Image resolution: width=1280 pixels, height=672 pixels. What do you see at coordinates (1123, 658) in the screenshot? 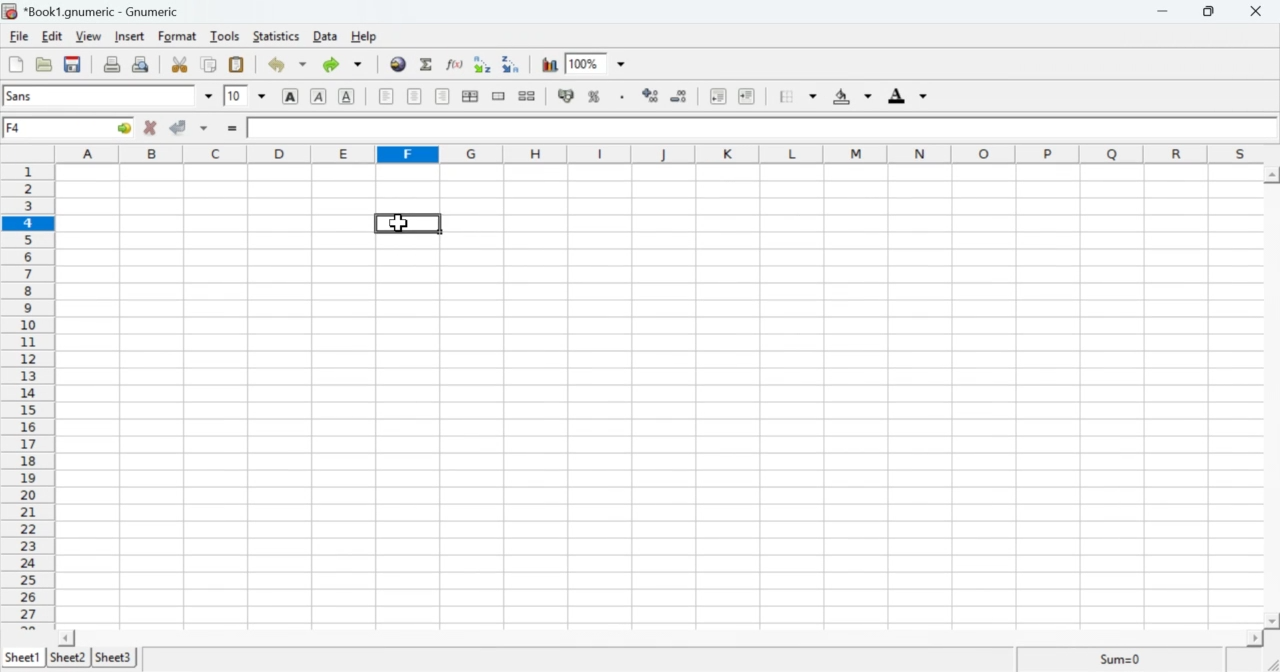
I see `Sum=0` at bounding box center [1123, 658].